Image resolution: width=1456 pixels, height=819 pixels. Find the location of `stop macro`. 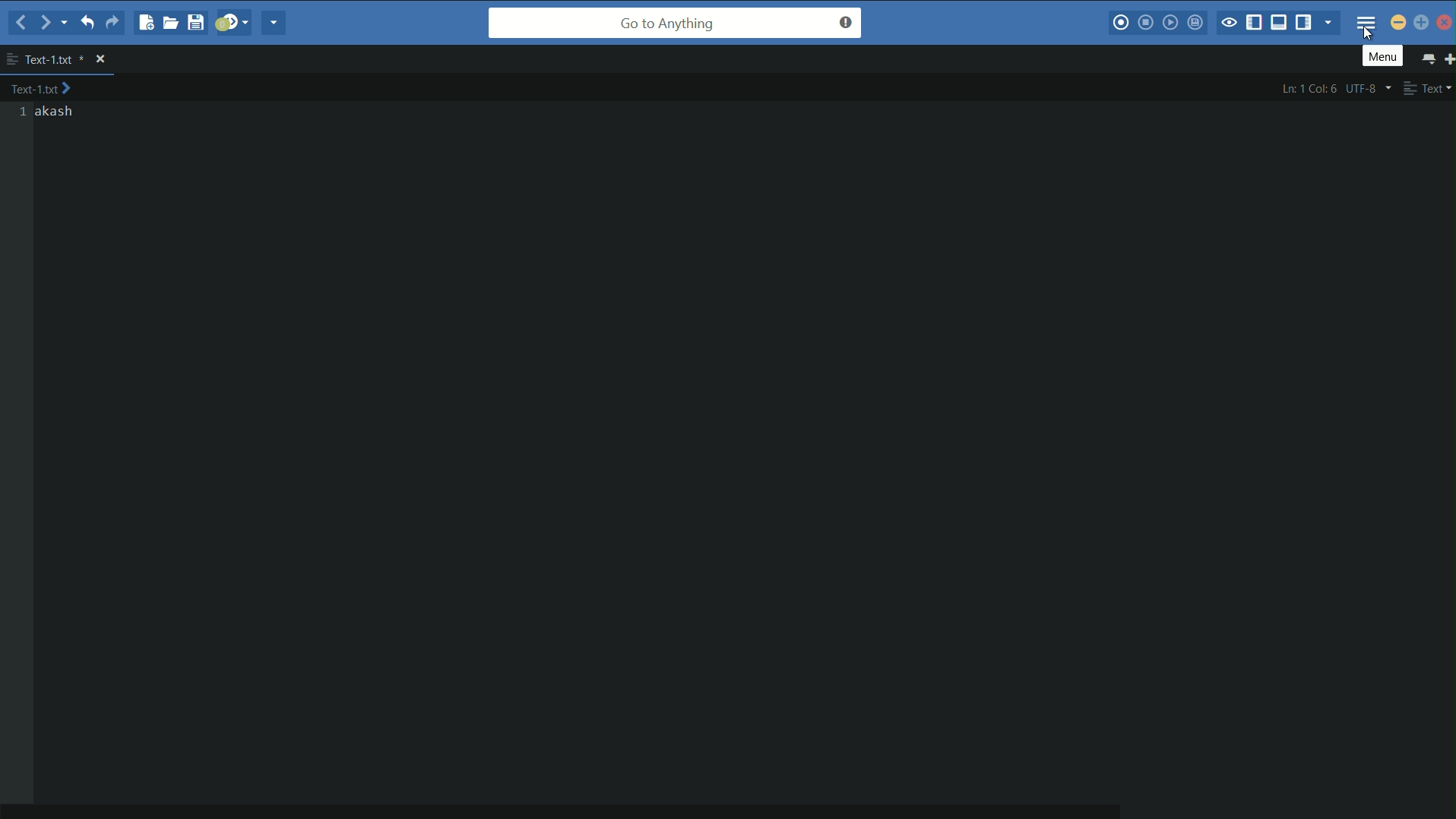

stop macro is located at coordinates (1146, 22).